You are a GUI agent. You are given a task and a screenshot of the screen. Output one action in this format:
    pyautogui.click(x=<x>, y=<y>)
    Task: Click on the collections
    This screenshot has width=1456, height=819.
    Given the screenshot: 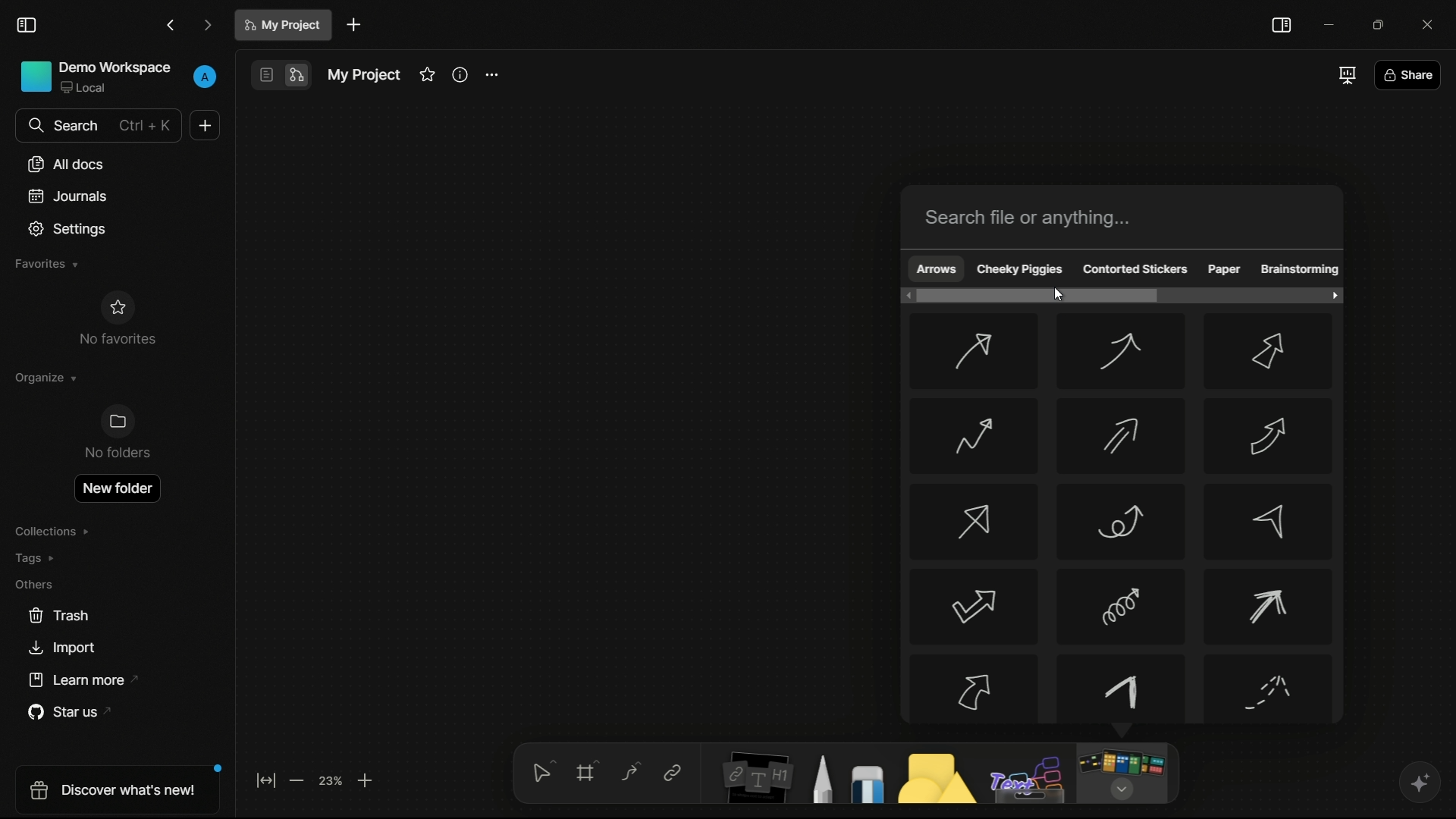 What is the action you would take?
    pyautogui.click(x=52, y=532)
    